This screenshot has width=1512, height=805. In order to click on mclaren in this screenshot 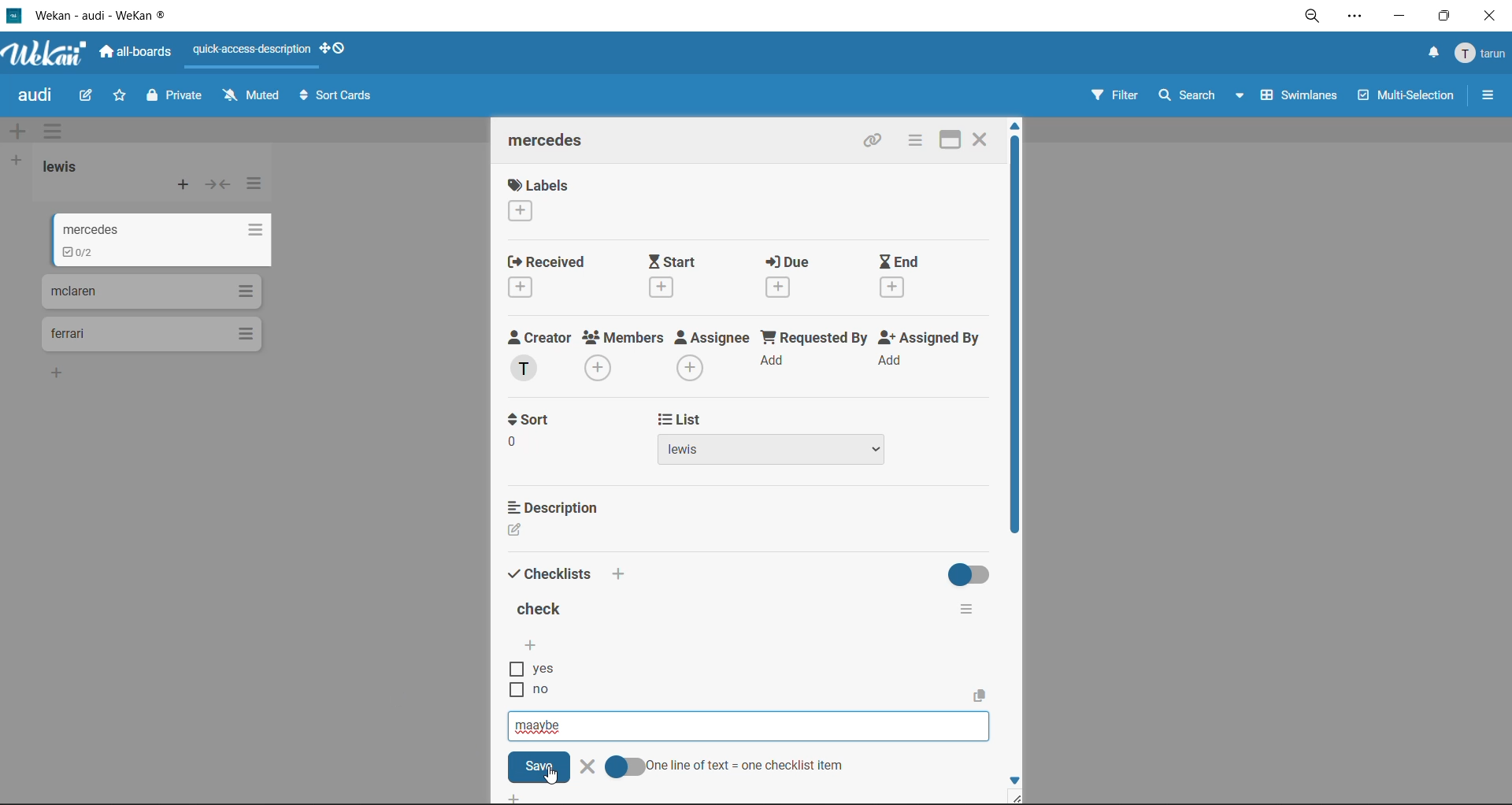, I will do `click(76, 293)`.